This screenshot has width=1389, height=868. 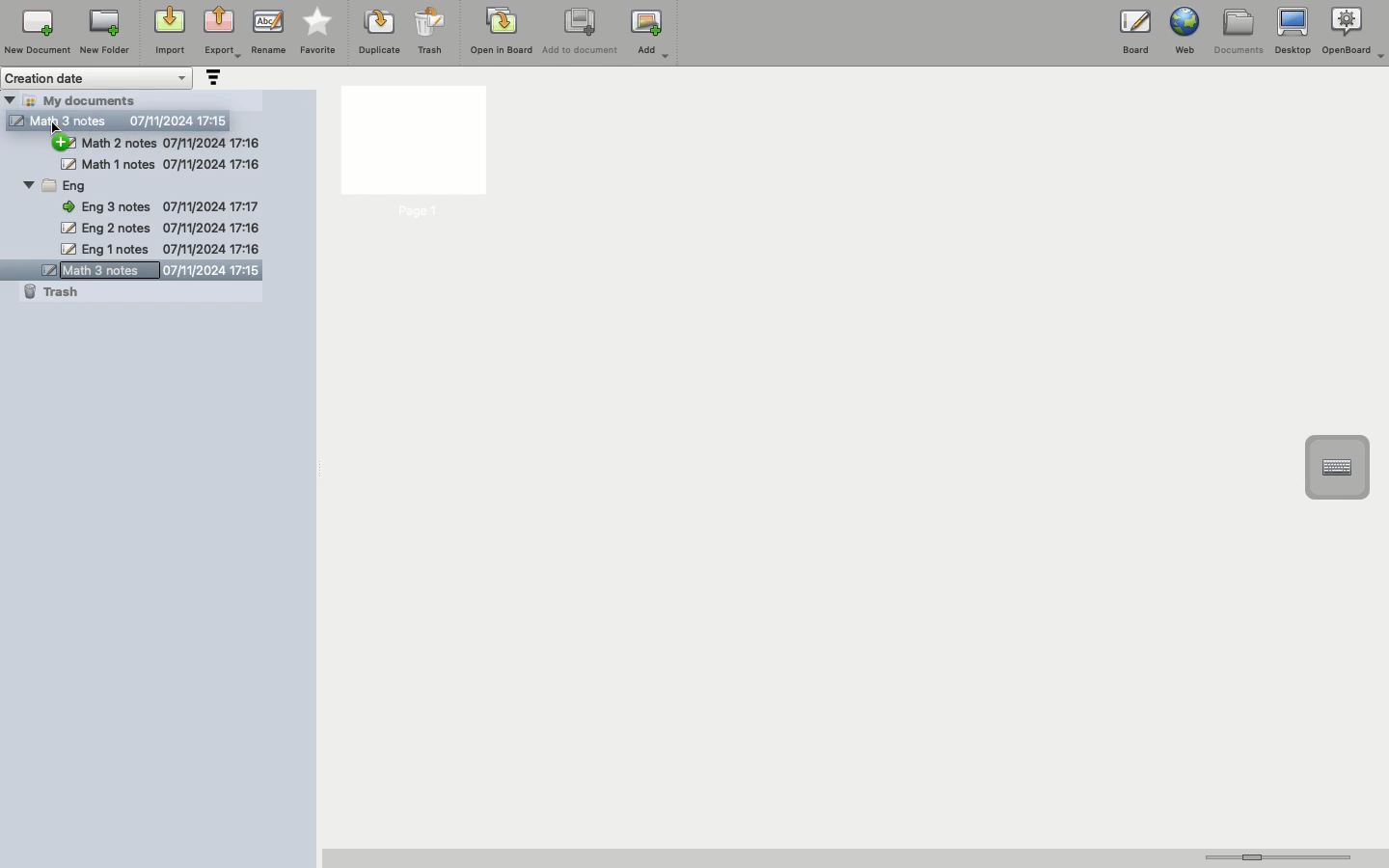 What do you see at coordinates (211, 79) in the screenshot?
I see `Sort` at bounding box center [211, 79].